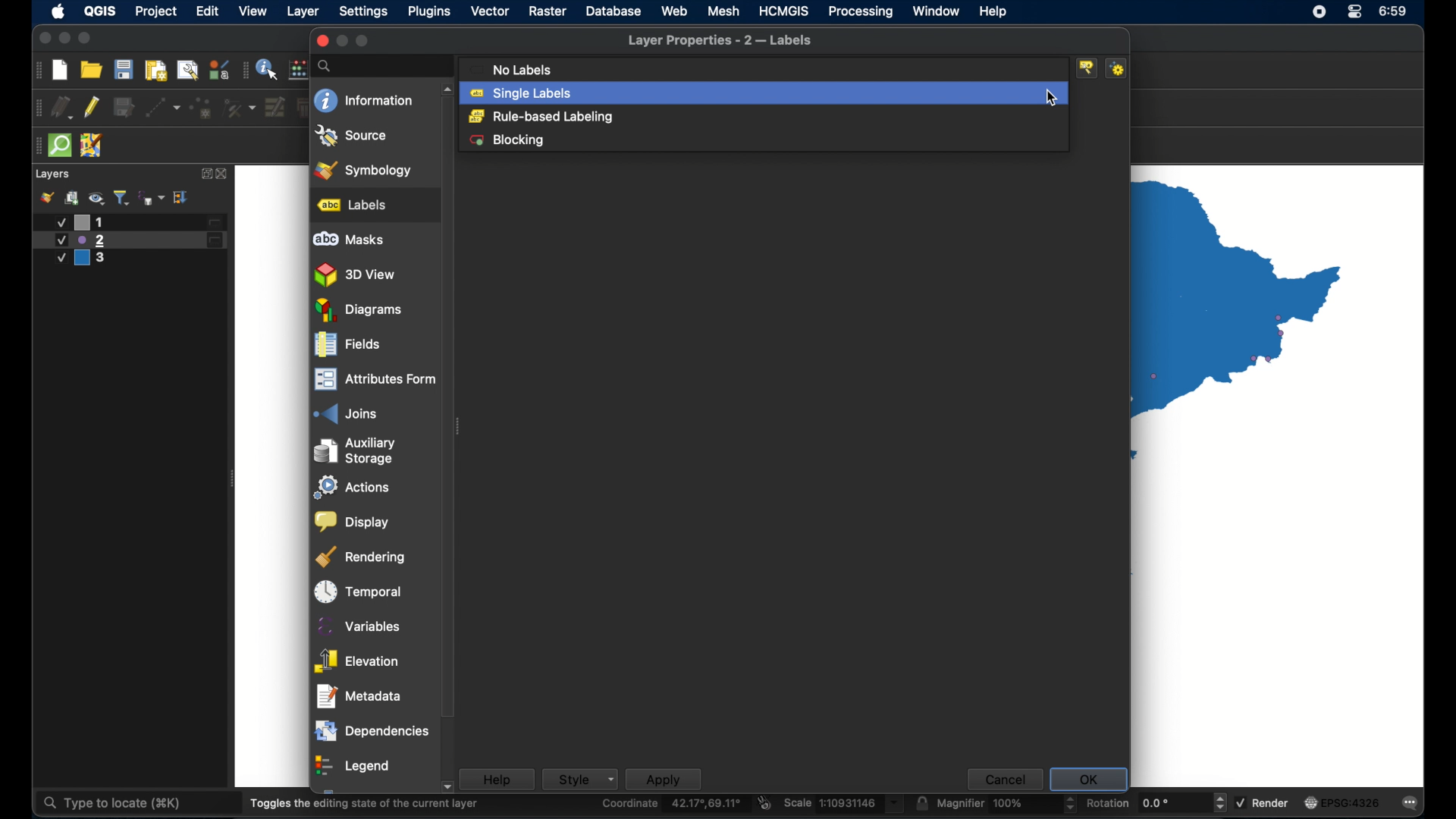 Image resolution: width=1456 pixels, height=819 pixels. I want to click on no labels drop-down , so click(764, 69).